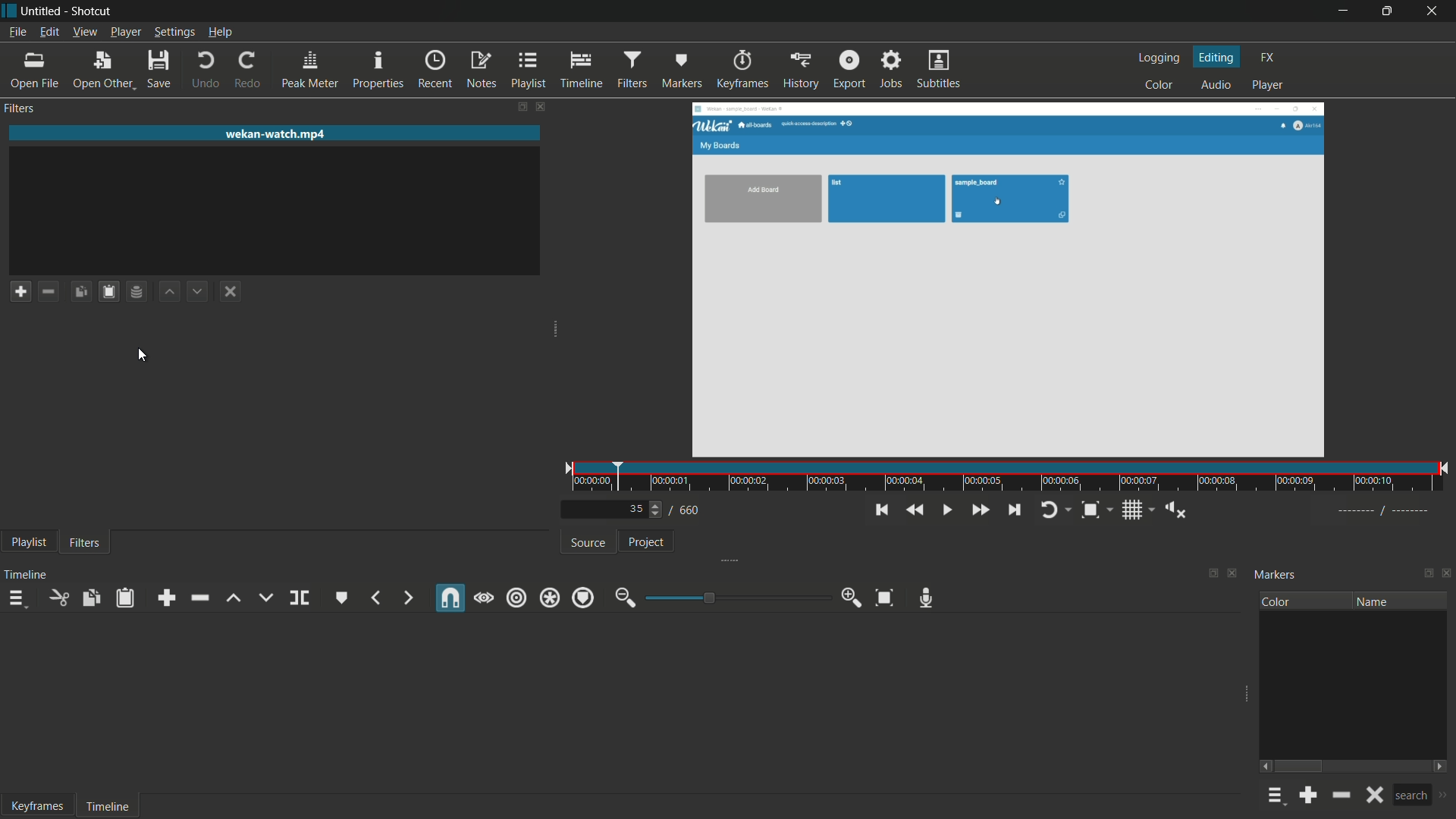 The height and width of the screenshot is (819, 1456). What do you see at coordinates (519, 106) in the screenshot?
I see `change layout` at bounding box center [519, 106].